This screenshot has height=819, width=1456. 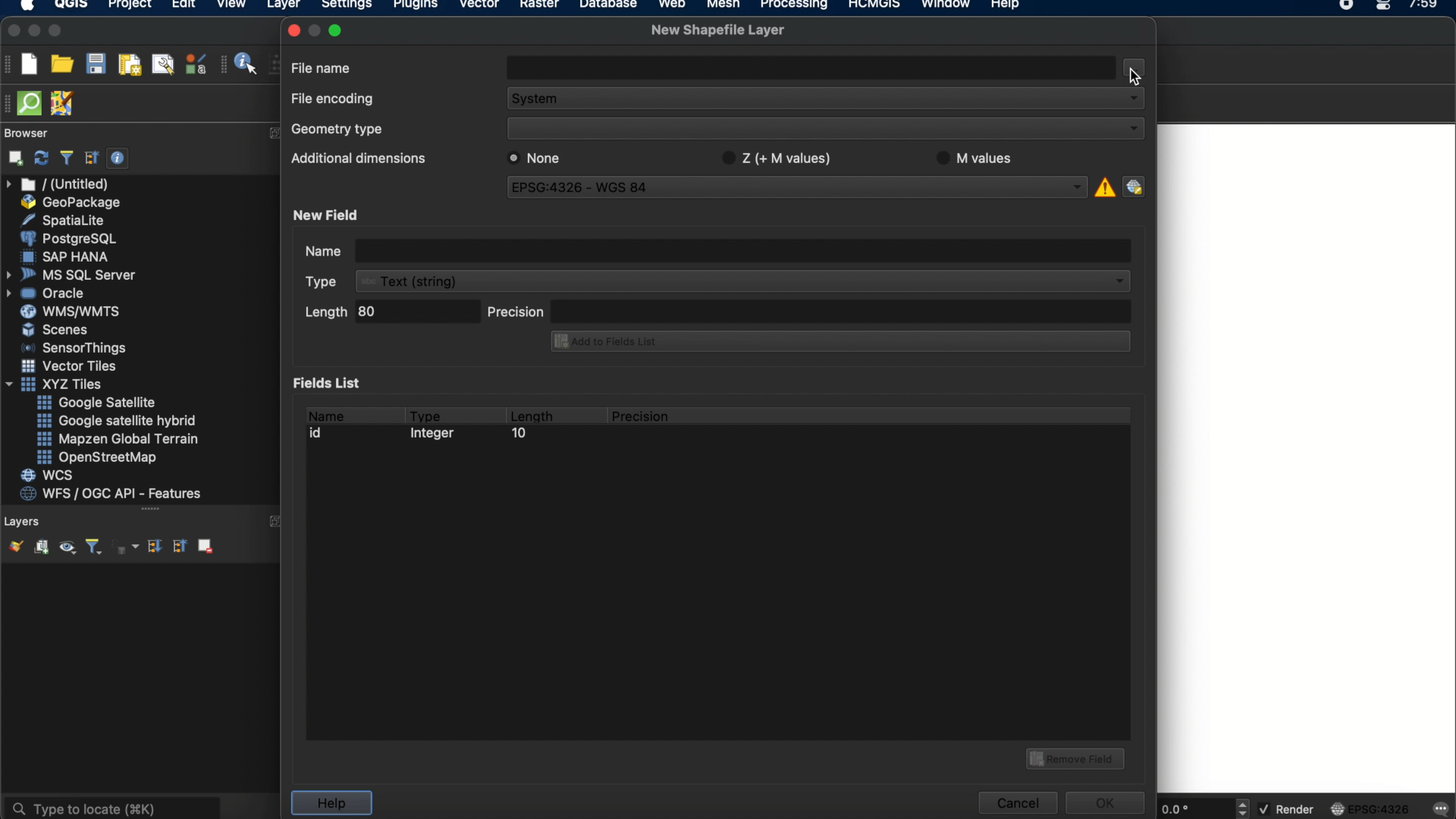 What do you see at coordinates (322, 251) in the screenshot?
I see `name` at bounding box center [322, 251].